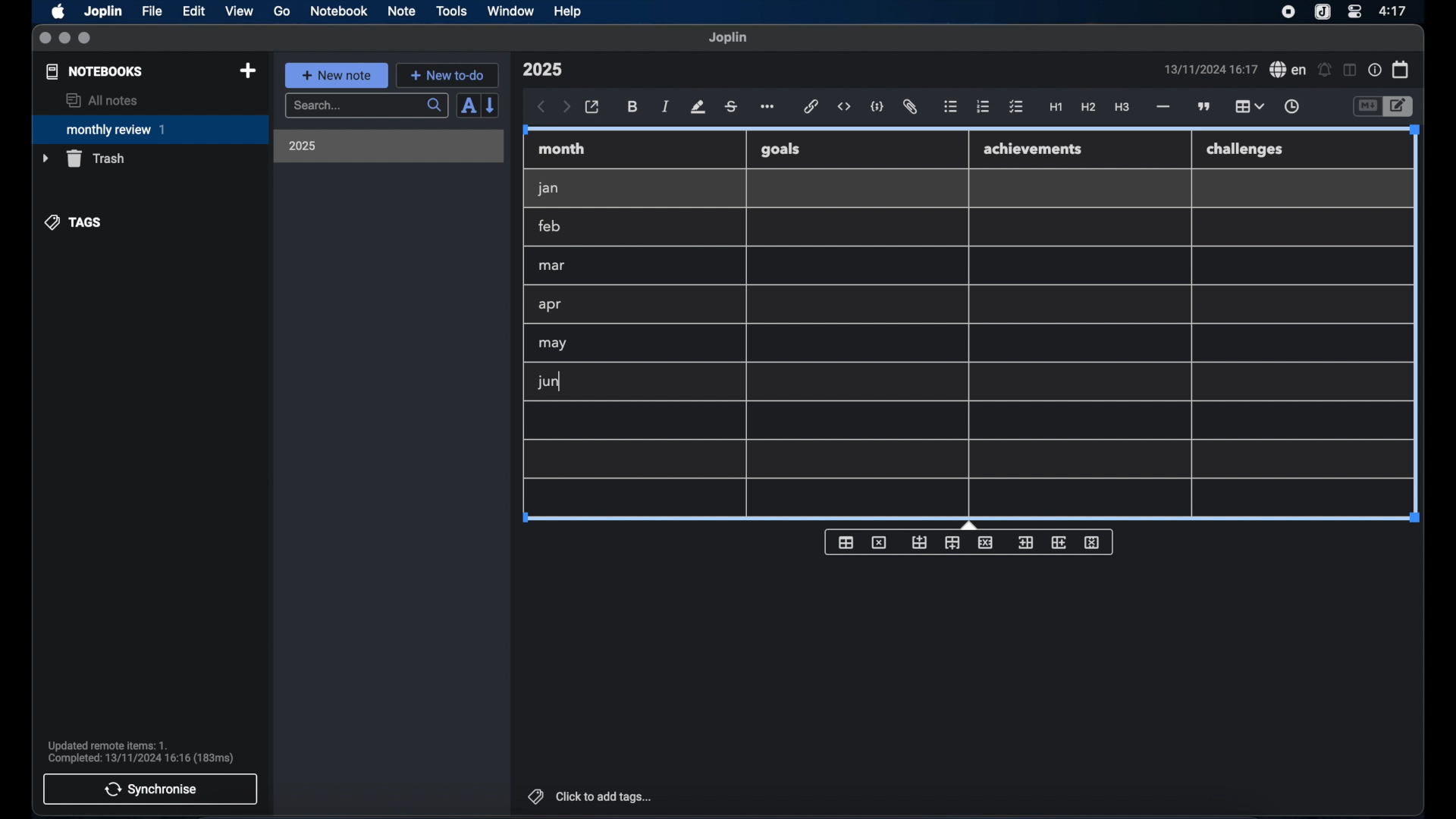 The height and width of the screenshot is (819, 1456). I want to click on horizontal rule, so click(1162, 107).